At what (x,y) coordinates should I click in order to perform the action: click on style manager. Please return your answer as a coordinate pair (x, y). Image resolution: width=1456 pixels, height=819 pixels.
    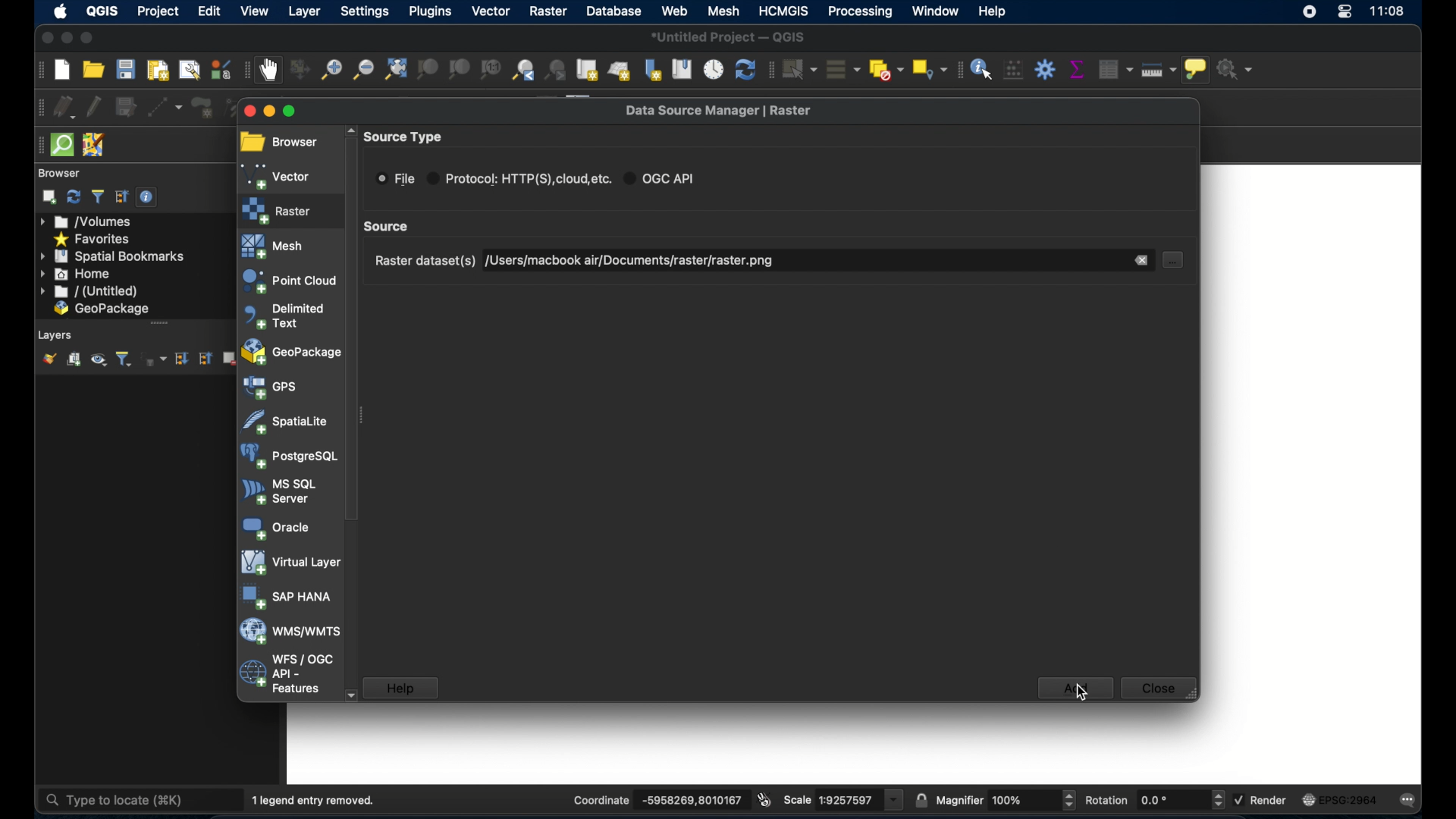
    Looking at the image, I should click on (220, 69).